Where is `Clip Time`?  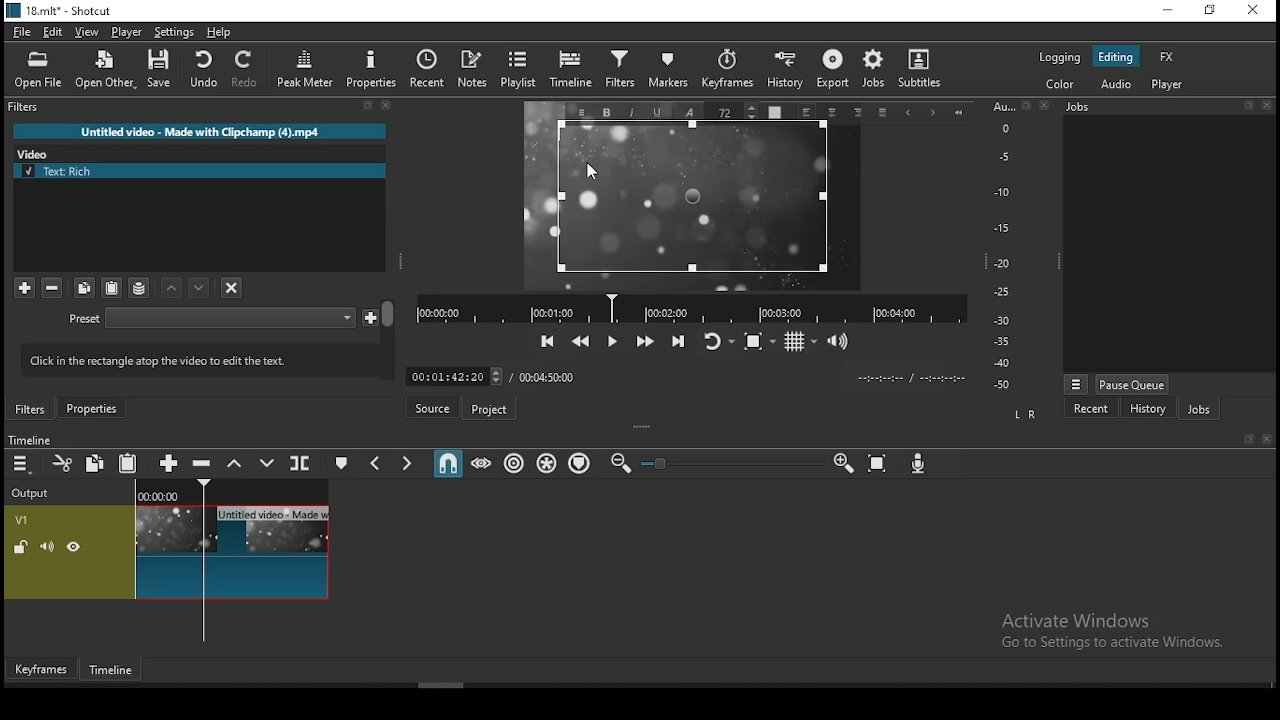
Clip Time is located at coordinates (910, 379).